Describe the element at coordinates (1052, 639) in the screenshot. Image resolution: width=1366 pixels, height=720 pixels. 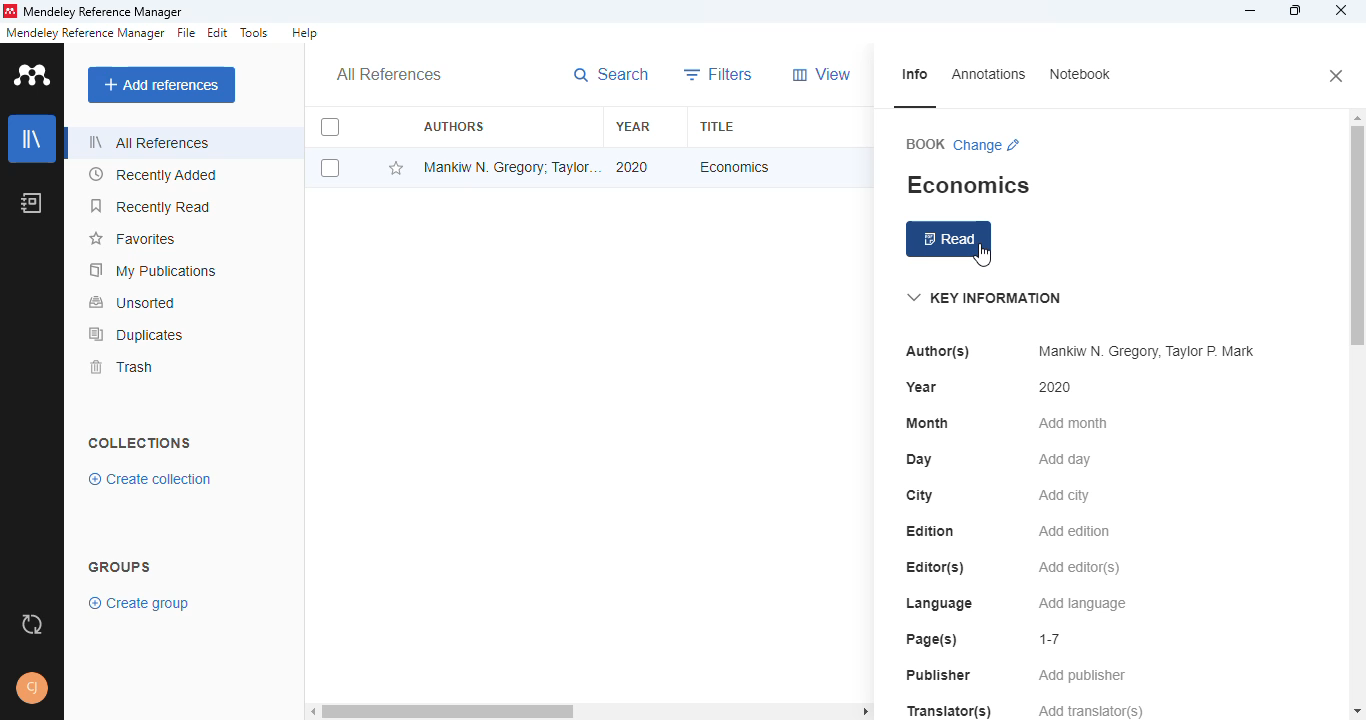
I see `1-7` at that location.